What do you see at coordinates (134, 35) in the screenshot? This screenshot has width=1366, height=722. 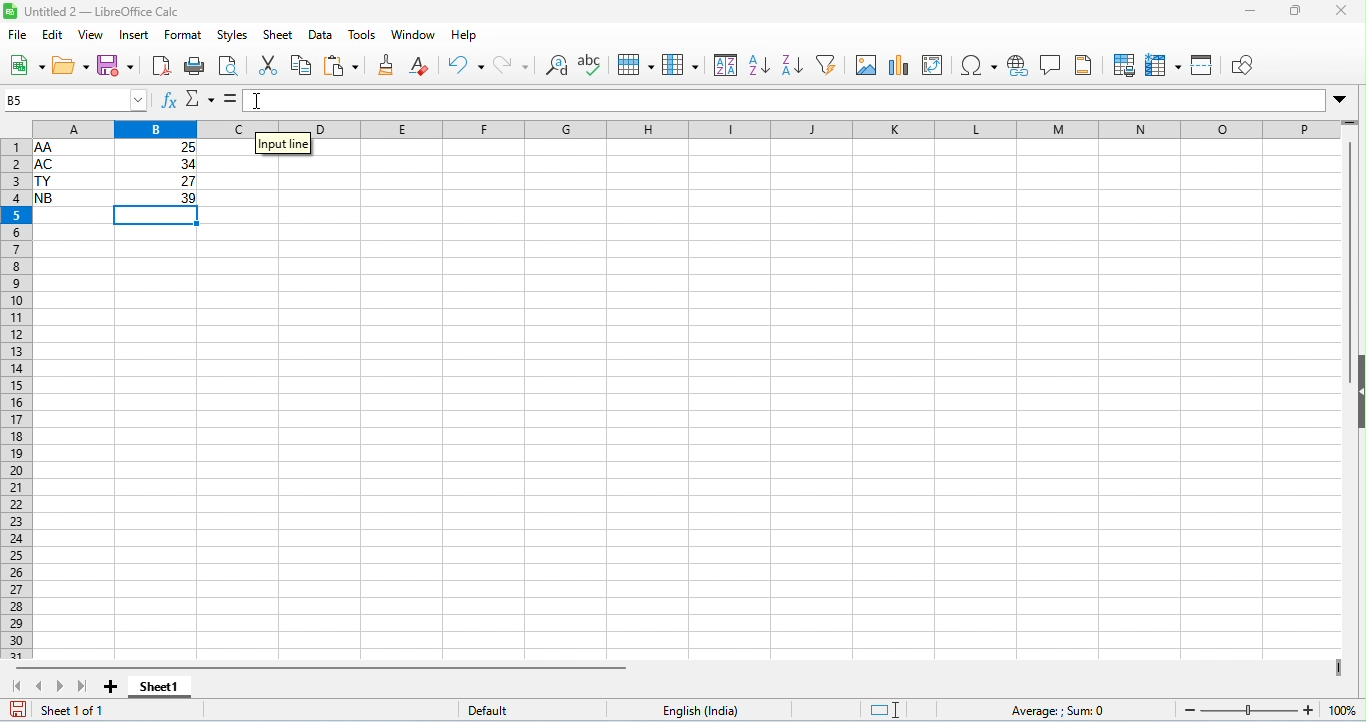 I see `insert` at bounding box center [134, 35].